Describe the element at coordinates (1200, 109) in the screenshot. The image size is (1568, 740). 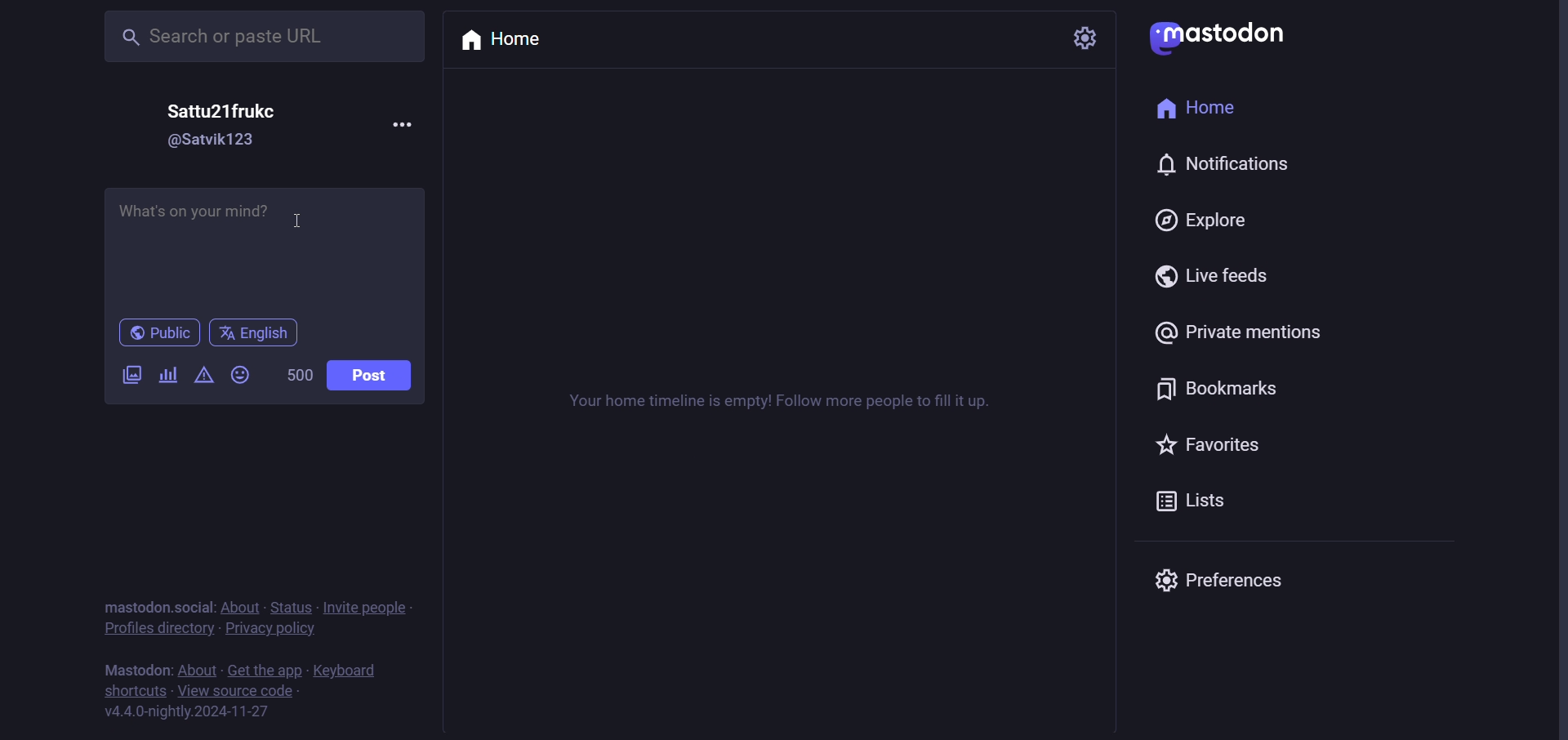
I see `home` at that location.